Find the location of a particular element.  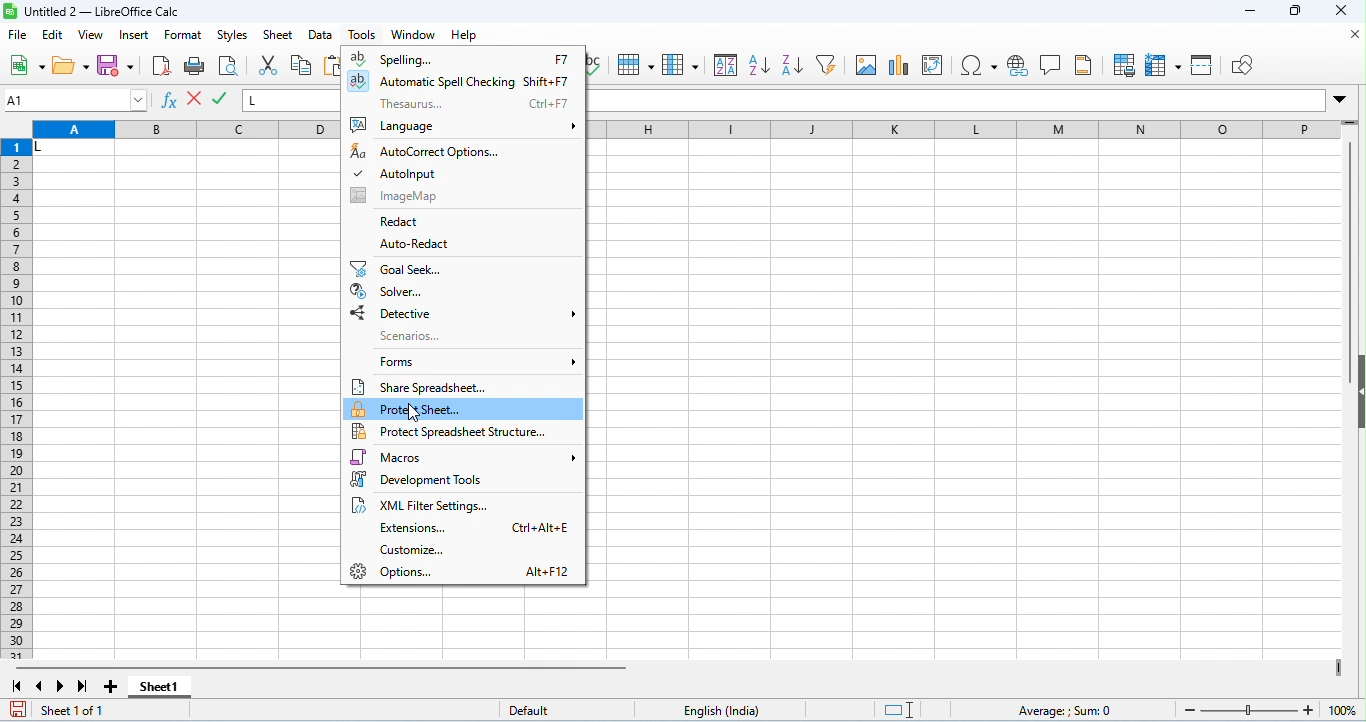

insert is located at coordinates (136, 36).